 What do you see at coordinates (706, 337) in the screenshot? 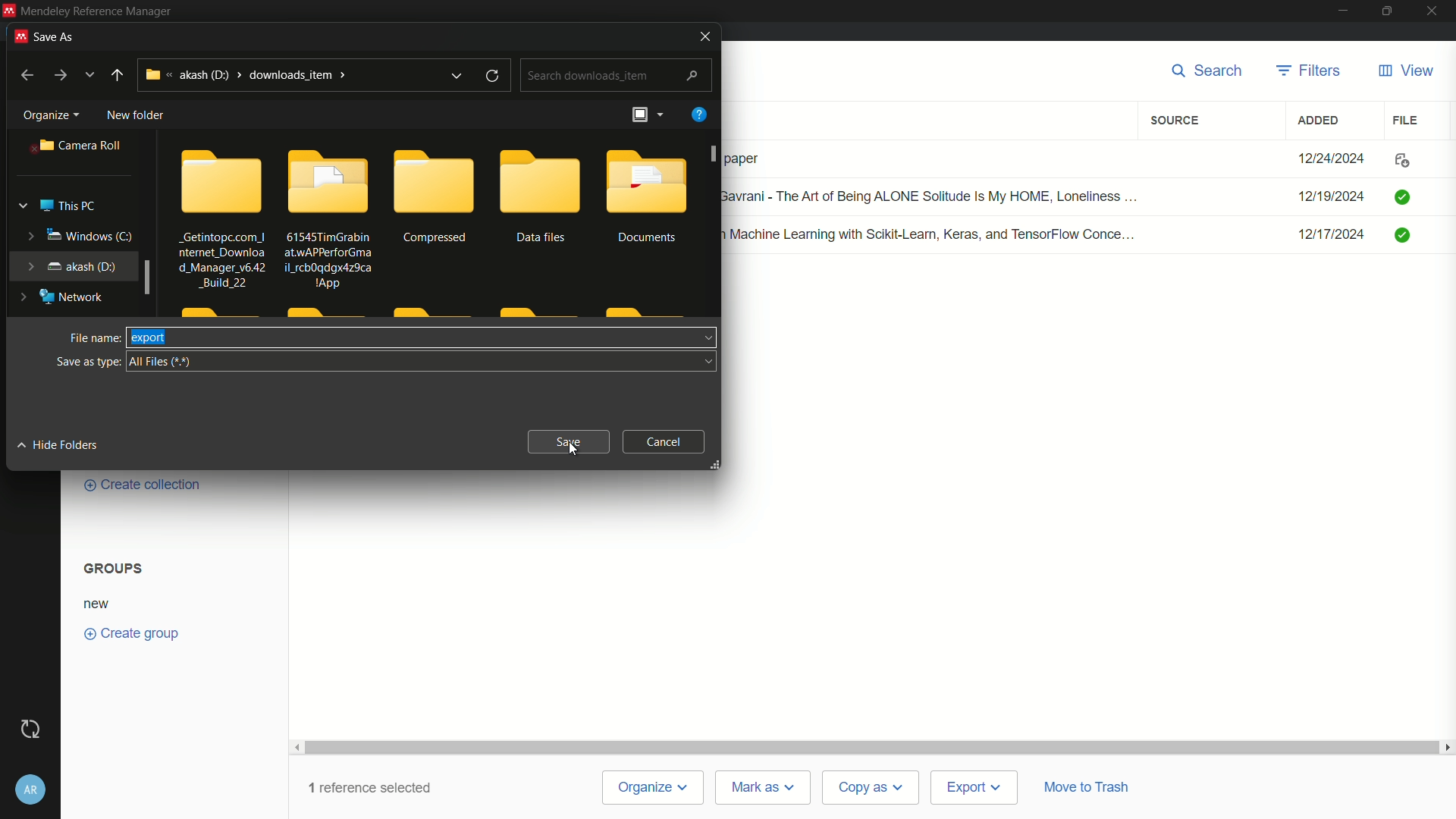
I see `dropdown` at bounding box center [706, 337].